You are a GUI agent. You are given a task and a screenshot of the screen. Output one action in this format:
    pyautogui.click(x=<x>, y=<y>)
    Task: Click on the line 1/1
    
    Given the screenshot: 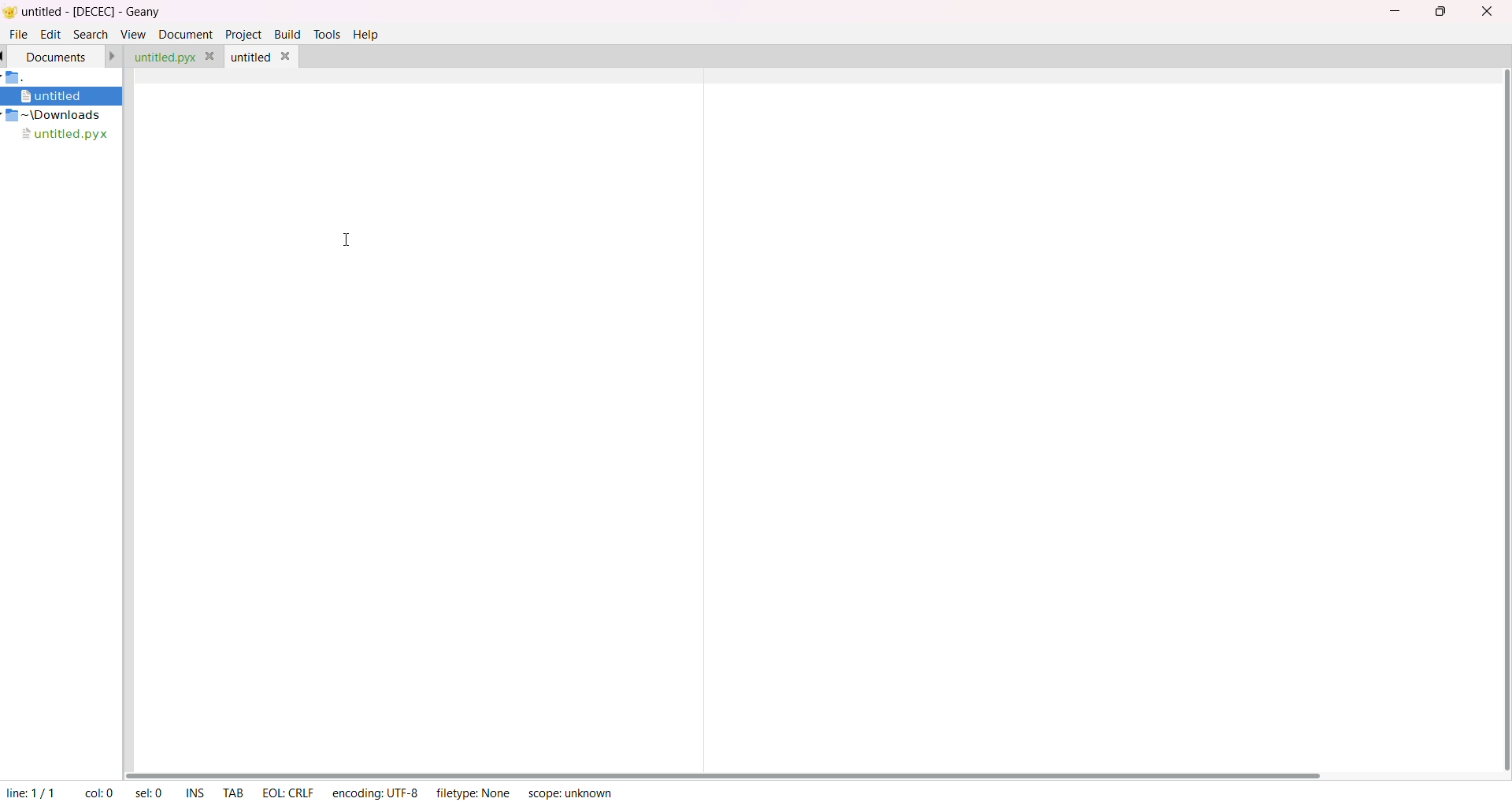 What is the action you would take?
    pyautogui.click(x=30, y=790)
    